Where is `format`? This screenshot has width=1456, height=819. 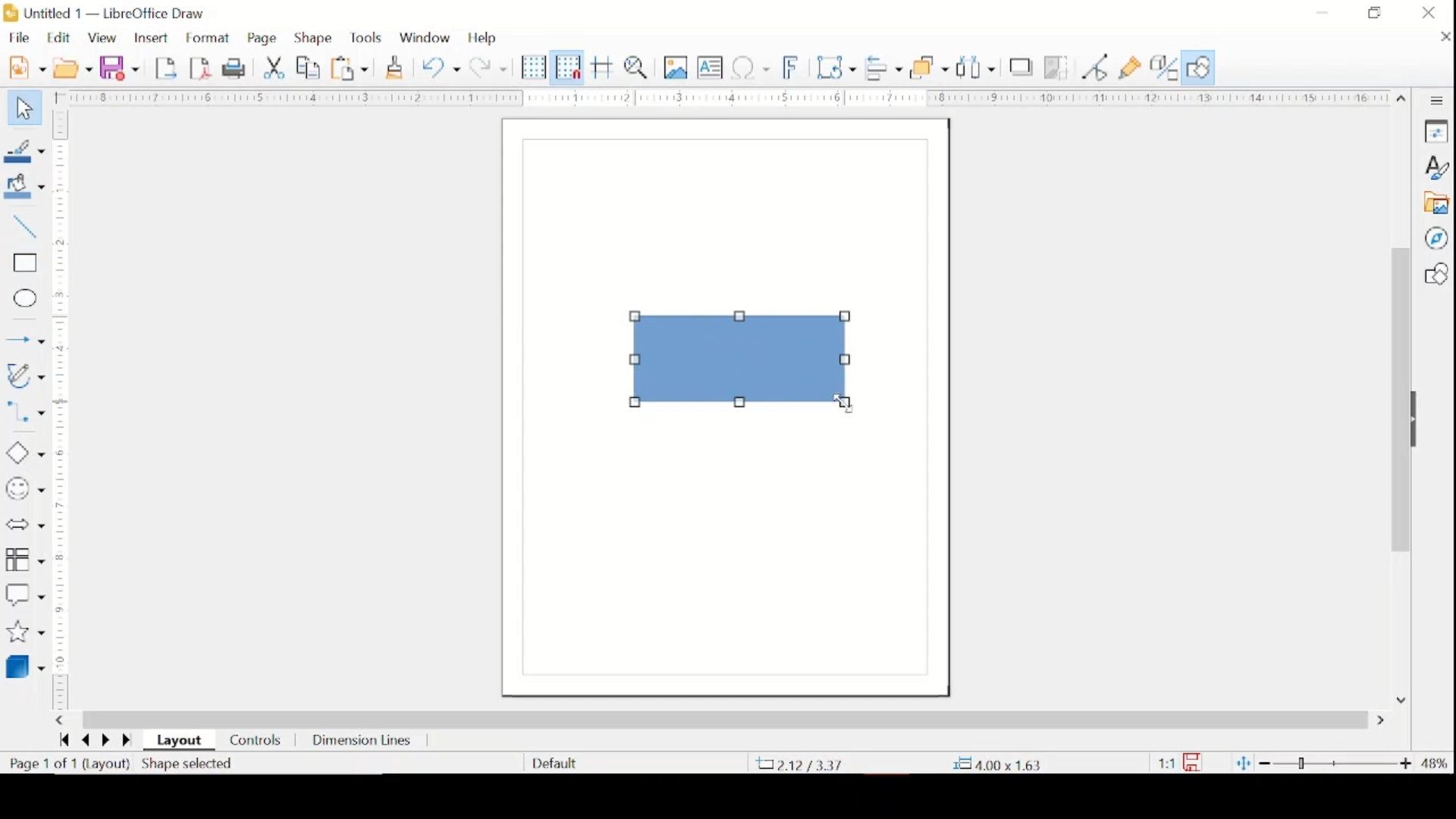 format is located at coordinates (209, 39).